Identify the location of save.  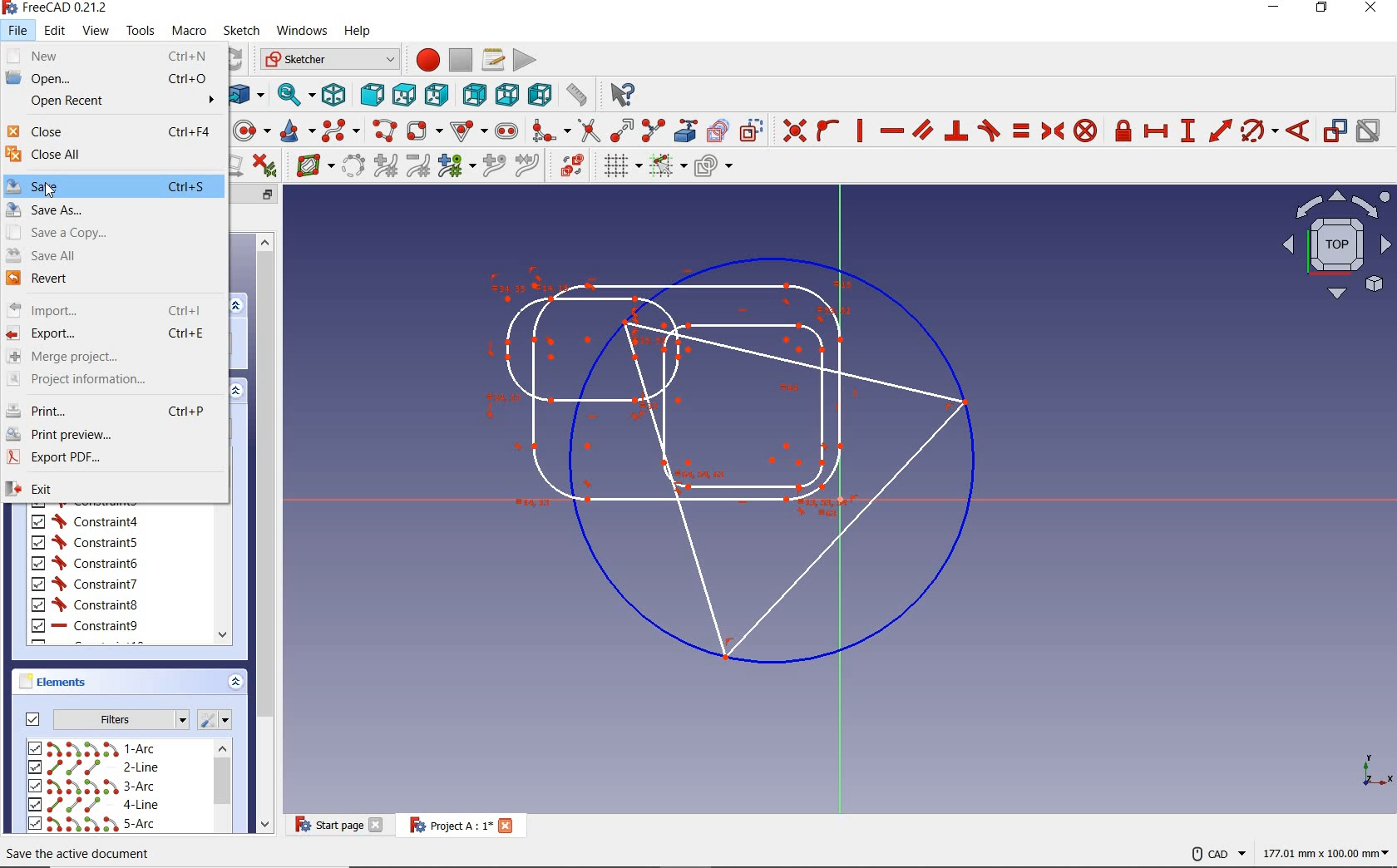
(112, 185).